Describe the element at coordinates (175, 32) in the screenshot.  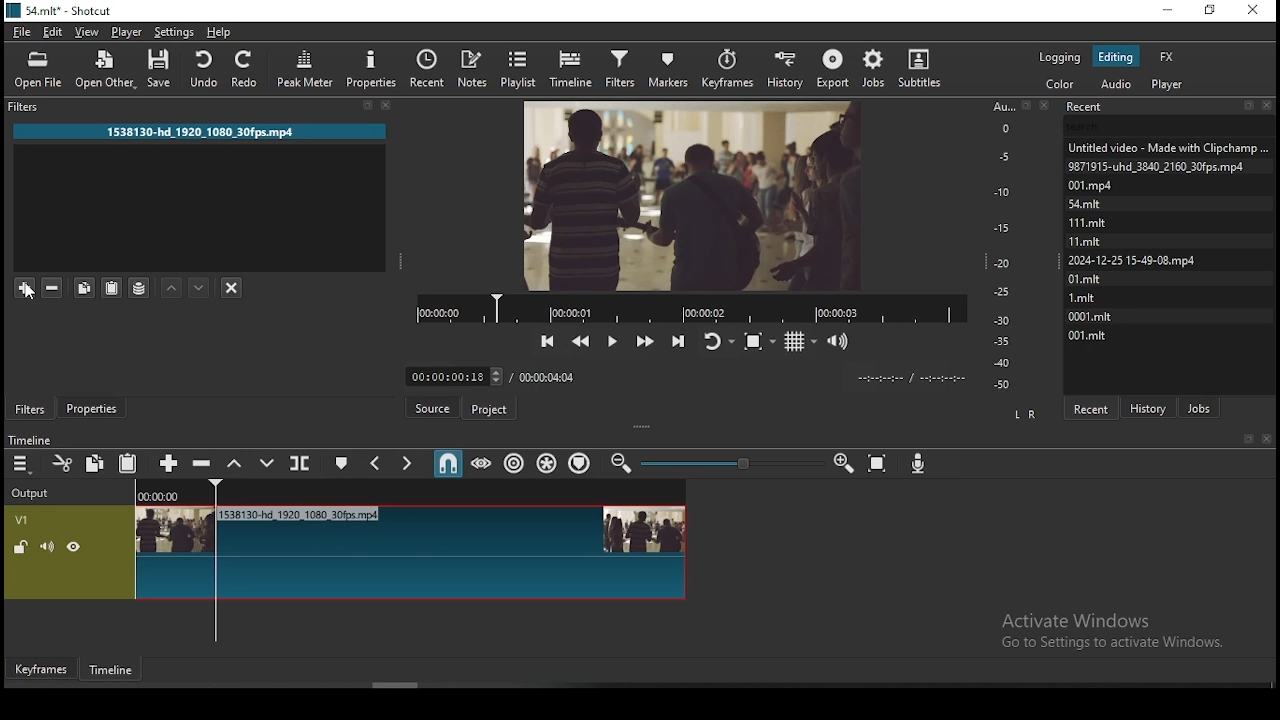
I see `settings` at that location.